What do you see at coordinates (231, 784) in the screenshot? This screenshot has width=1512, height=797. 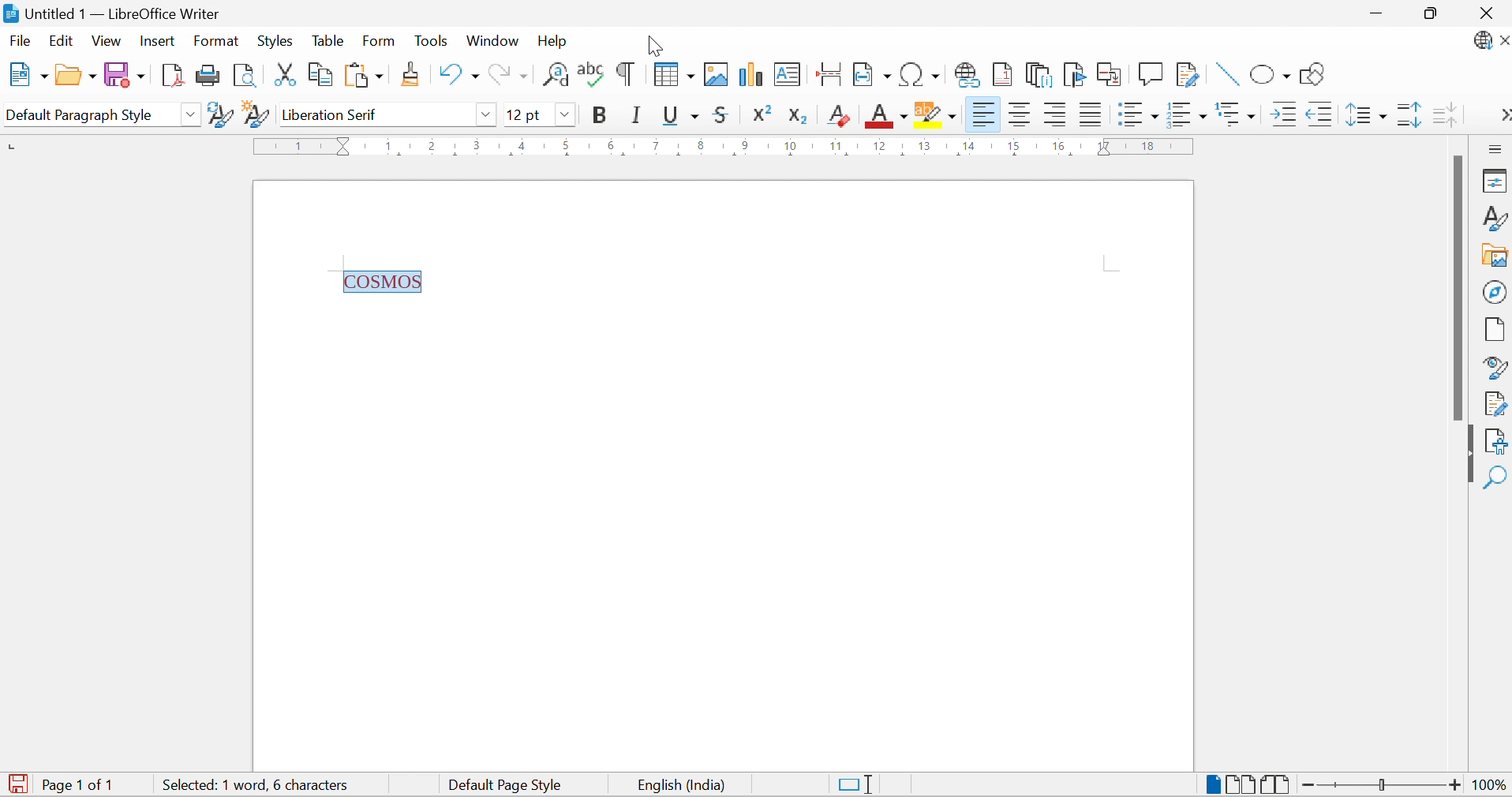 I see `0 words, 0 characters` at bounding box center [231, 784].